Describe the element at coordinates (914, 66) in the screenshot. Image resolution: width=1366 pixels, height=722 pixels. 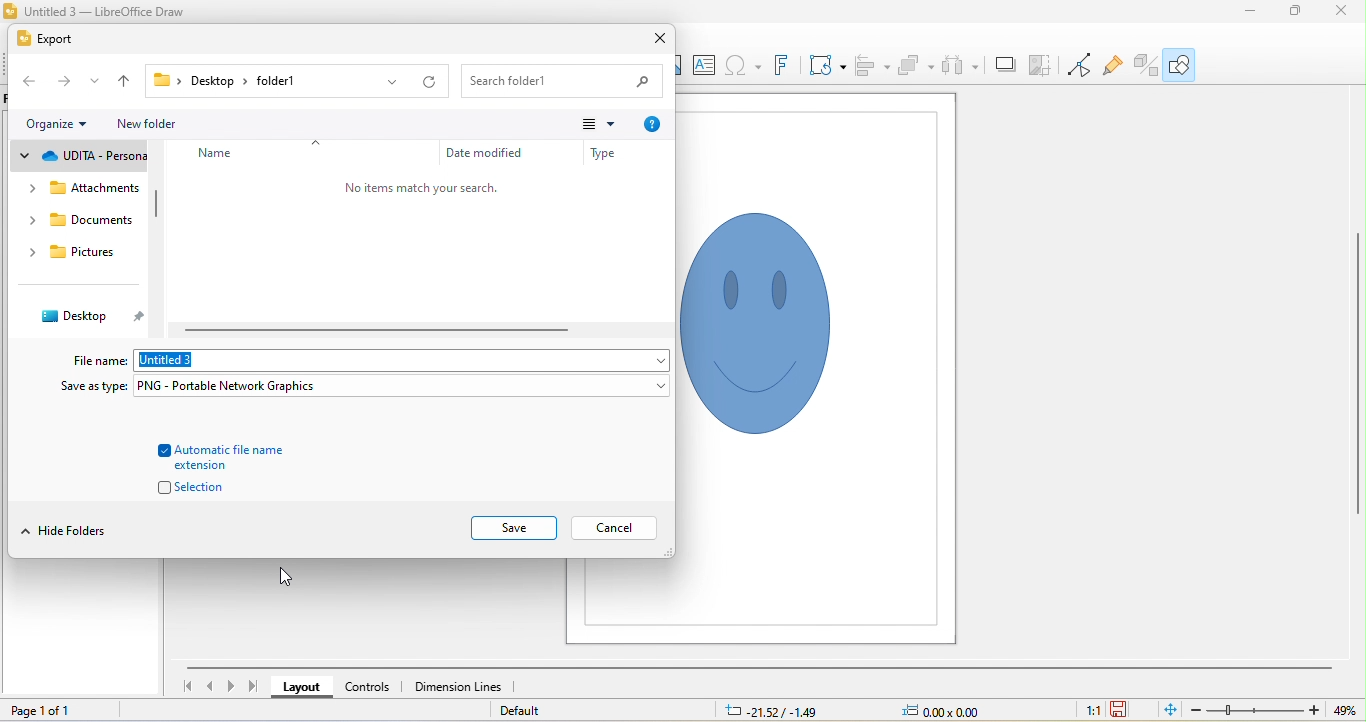
I see `arrange` at that location.